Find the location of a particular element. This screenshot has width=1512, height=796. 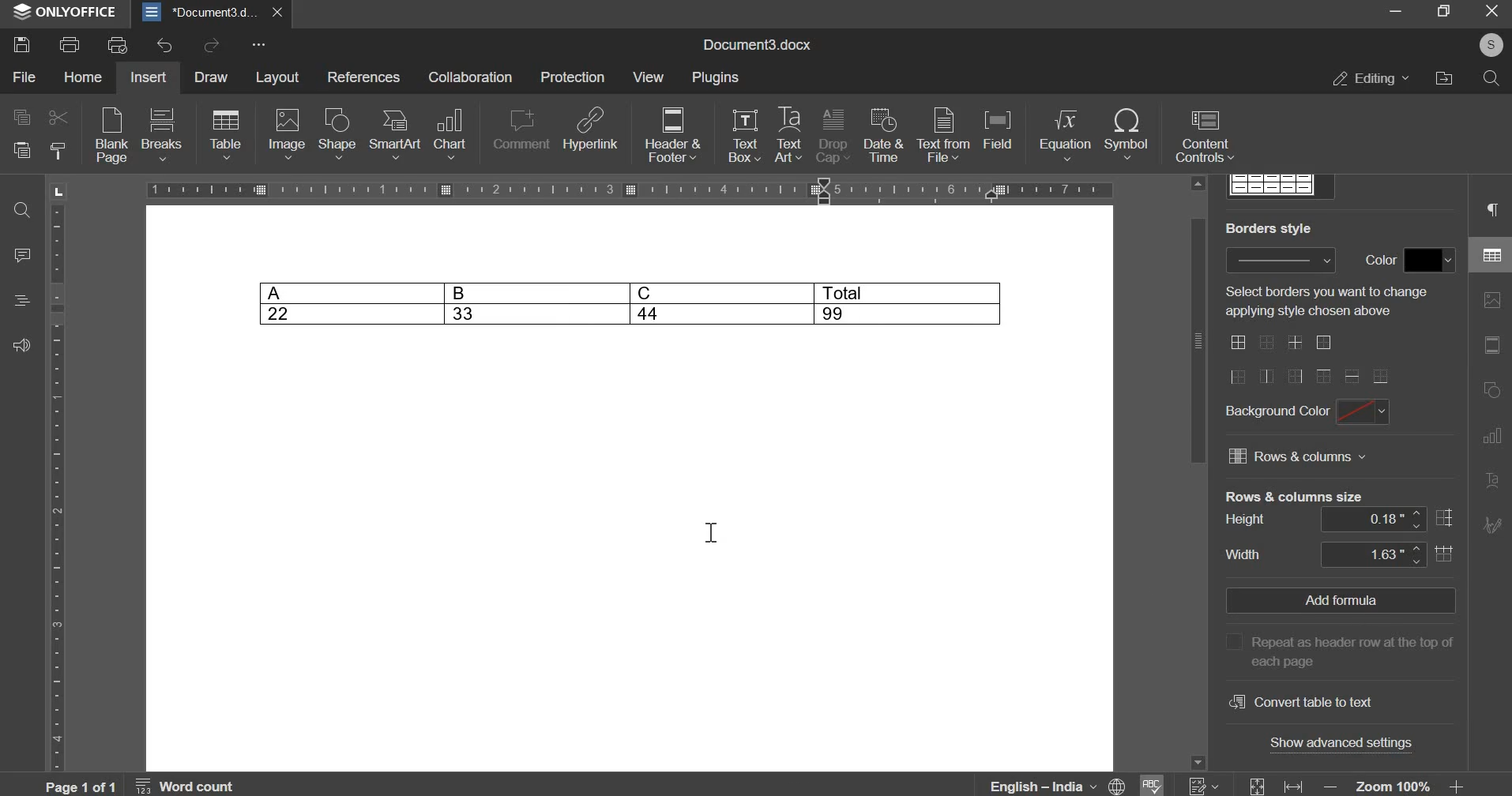

collaboration is located at coordinates (475, 77).